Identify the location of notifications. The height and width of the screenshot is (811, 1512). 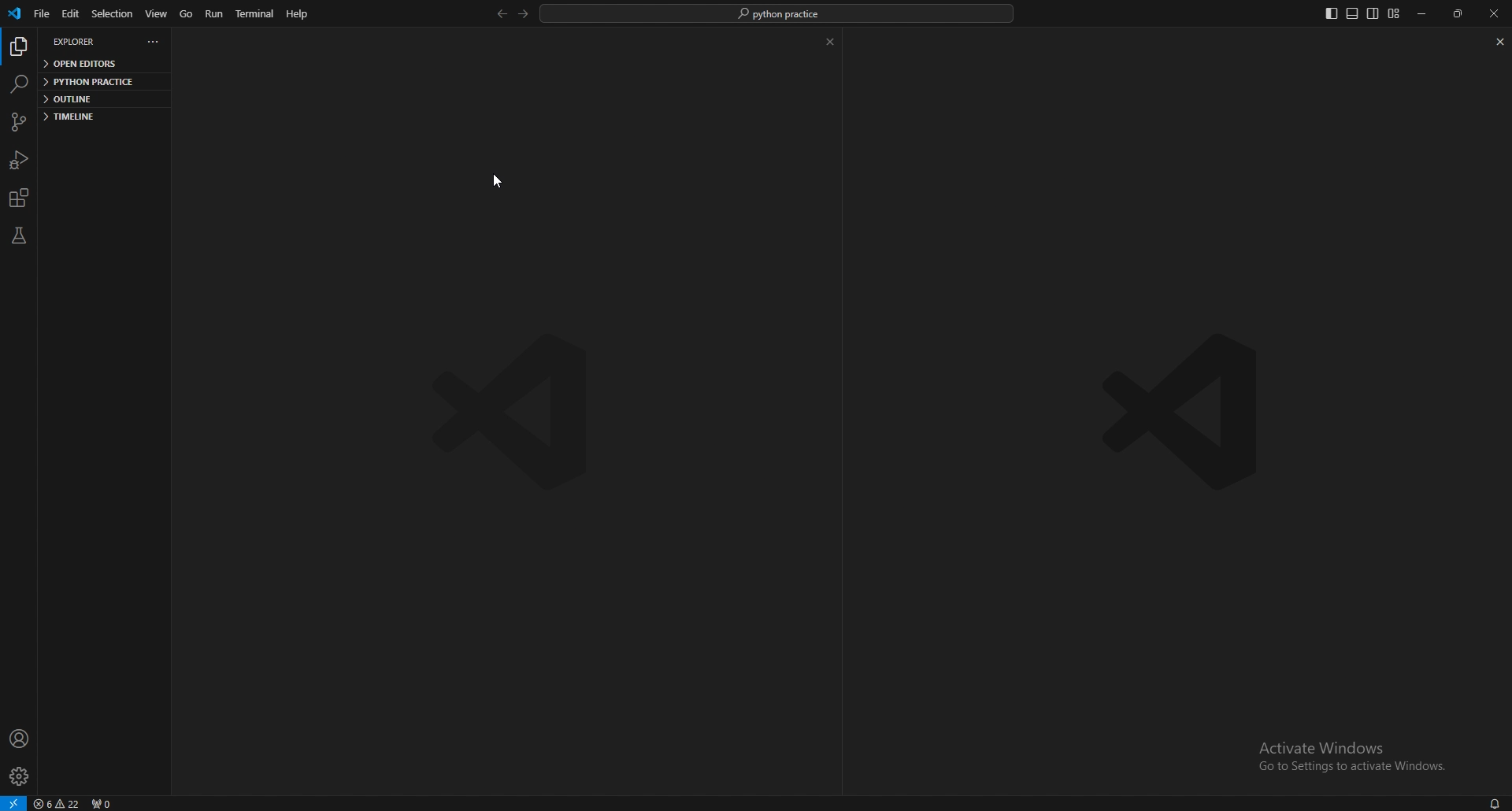
(1492, 803).